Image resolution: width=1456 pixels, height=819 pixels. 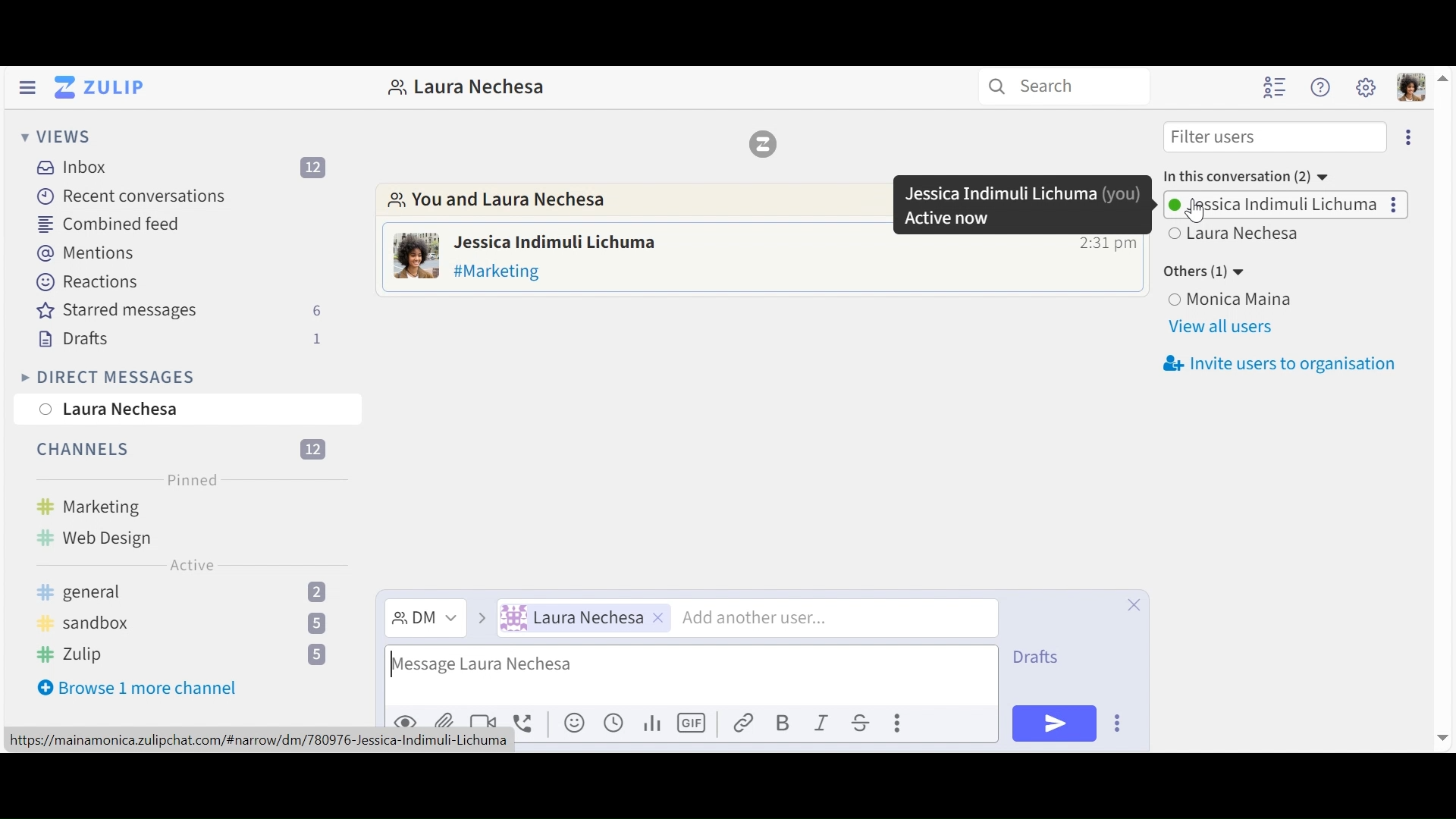 What do you see at coordinates (1223, 329) in the screenshot?
I see `view all users` at bounding box center [1223, 329].